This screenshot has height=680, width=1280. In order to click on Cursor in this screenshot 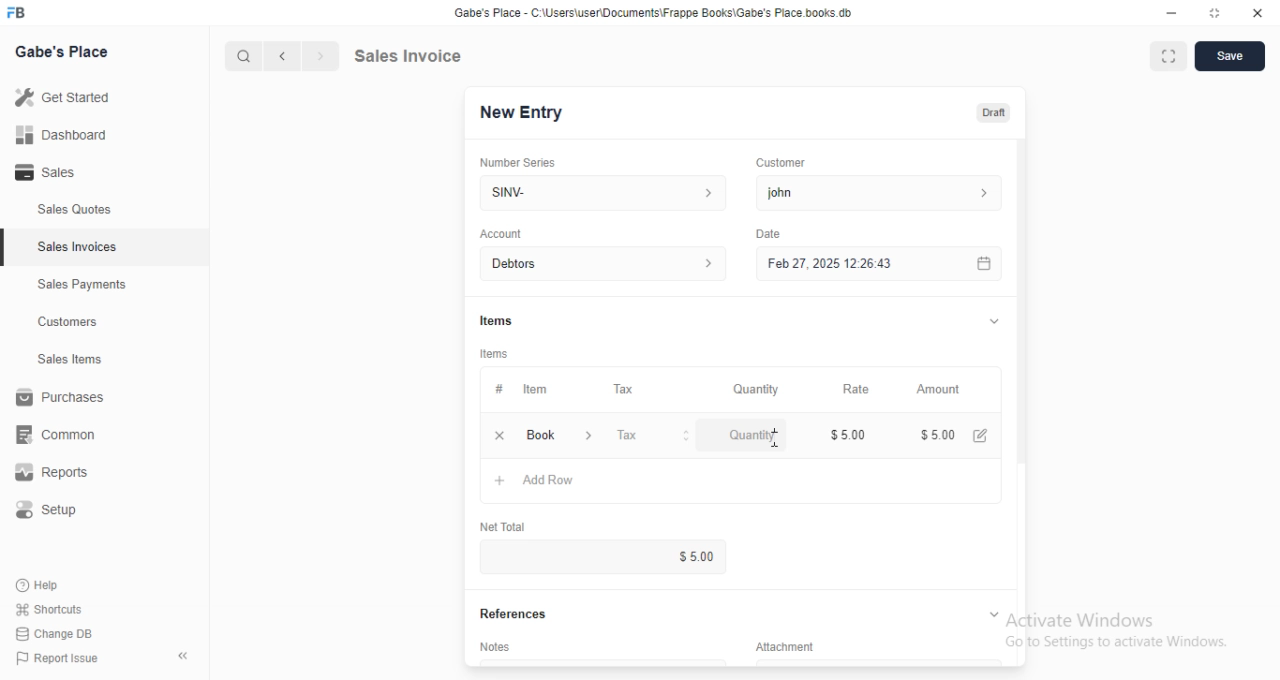, I will do `click(778, 442)`.